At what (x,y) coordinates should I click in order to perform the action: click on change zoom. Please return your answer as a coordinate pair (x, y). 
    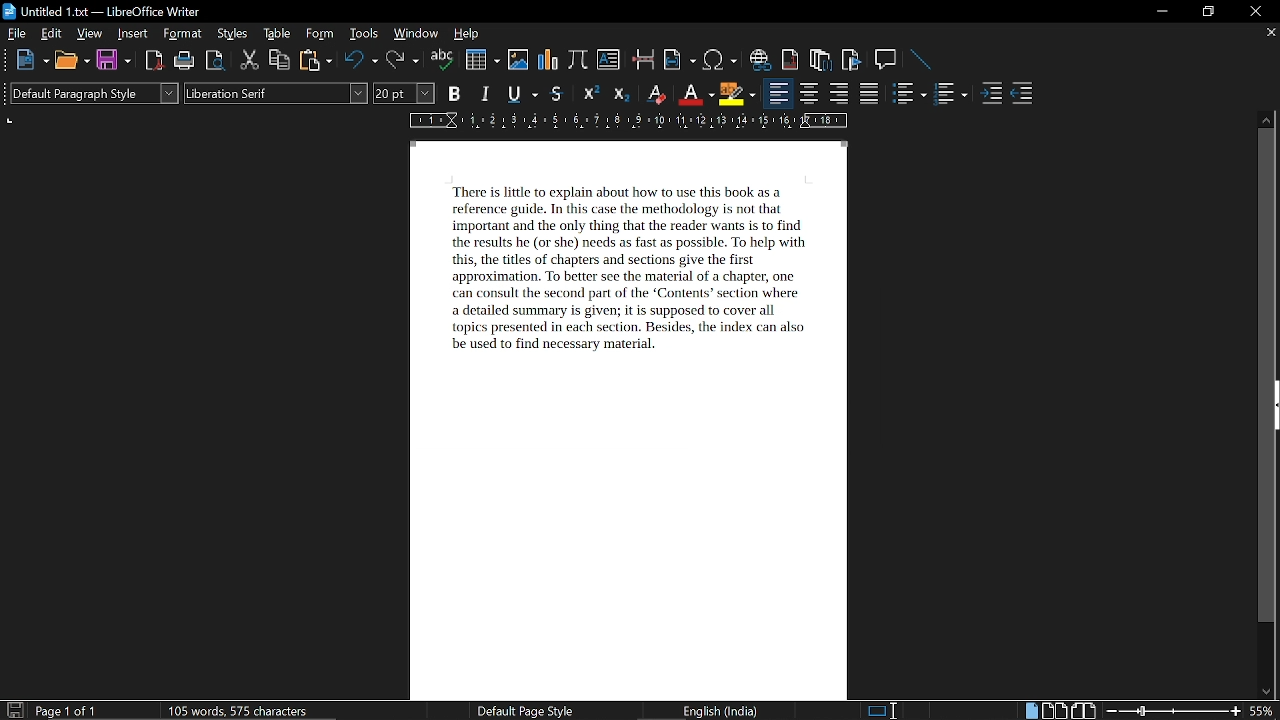
    Looking at the image, I should click on (1174, 712).